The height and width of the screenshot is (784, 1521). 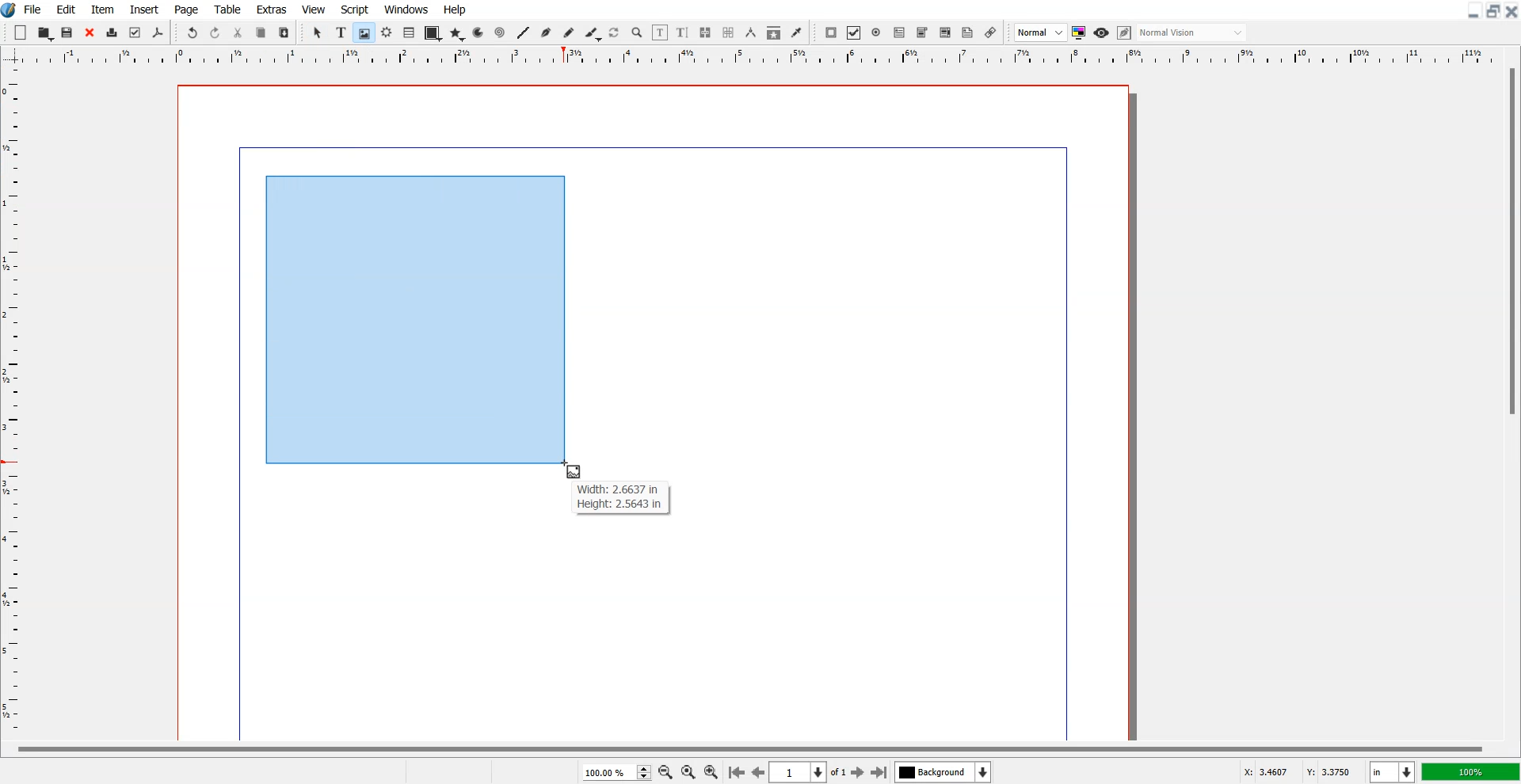 What do you see at coordinates (318, 33) in the screenshot?
I see `Select Item` at bounding box center [318, 33].